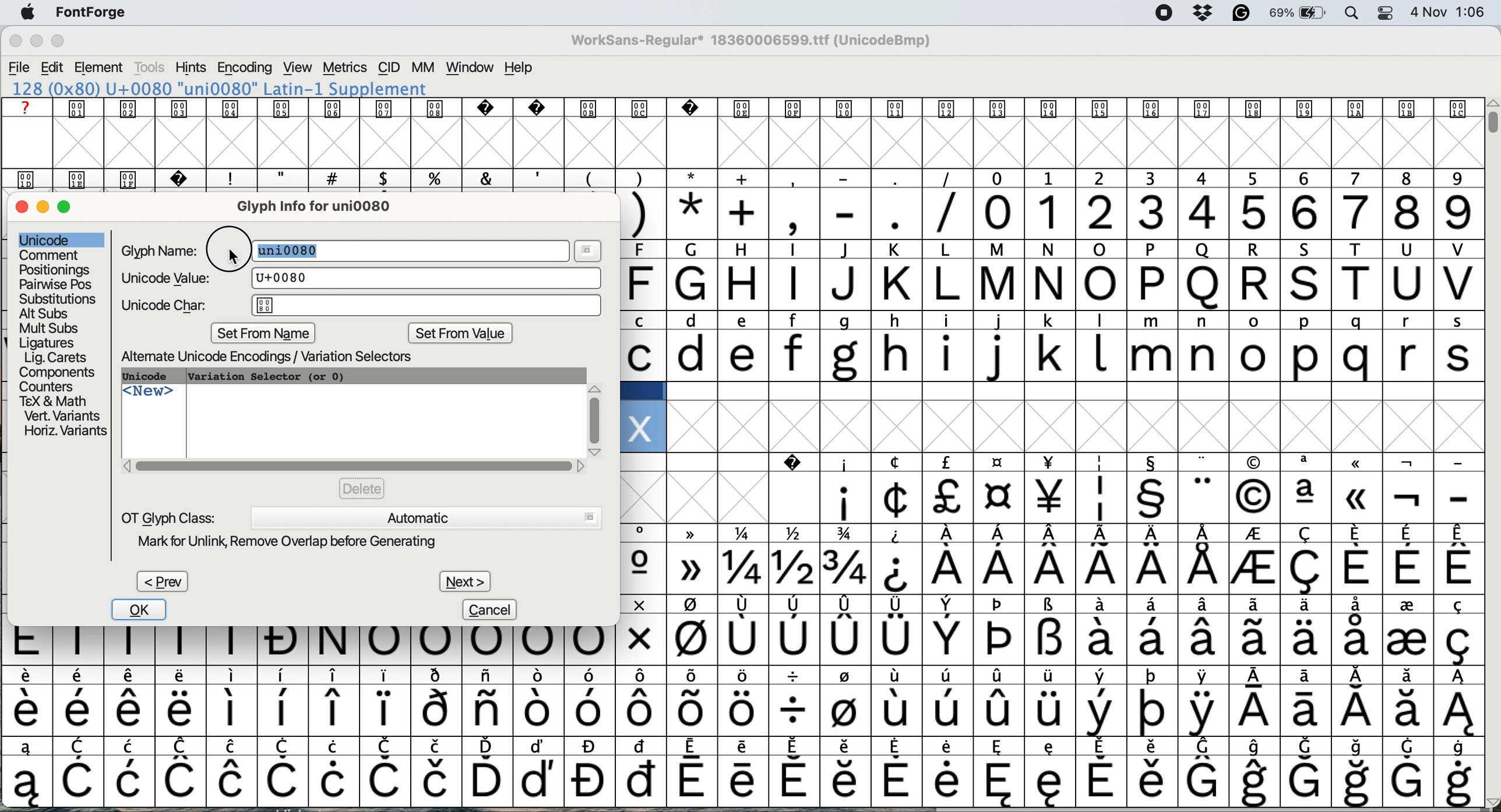 This screenshot has width=1501, height=812. Describe the element at coordinates (267, 376) in the screenshot. I see `variation selector` at that location.